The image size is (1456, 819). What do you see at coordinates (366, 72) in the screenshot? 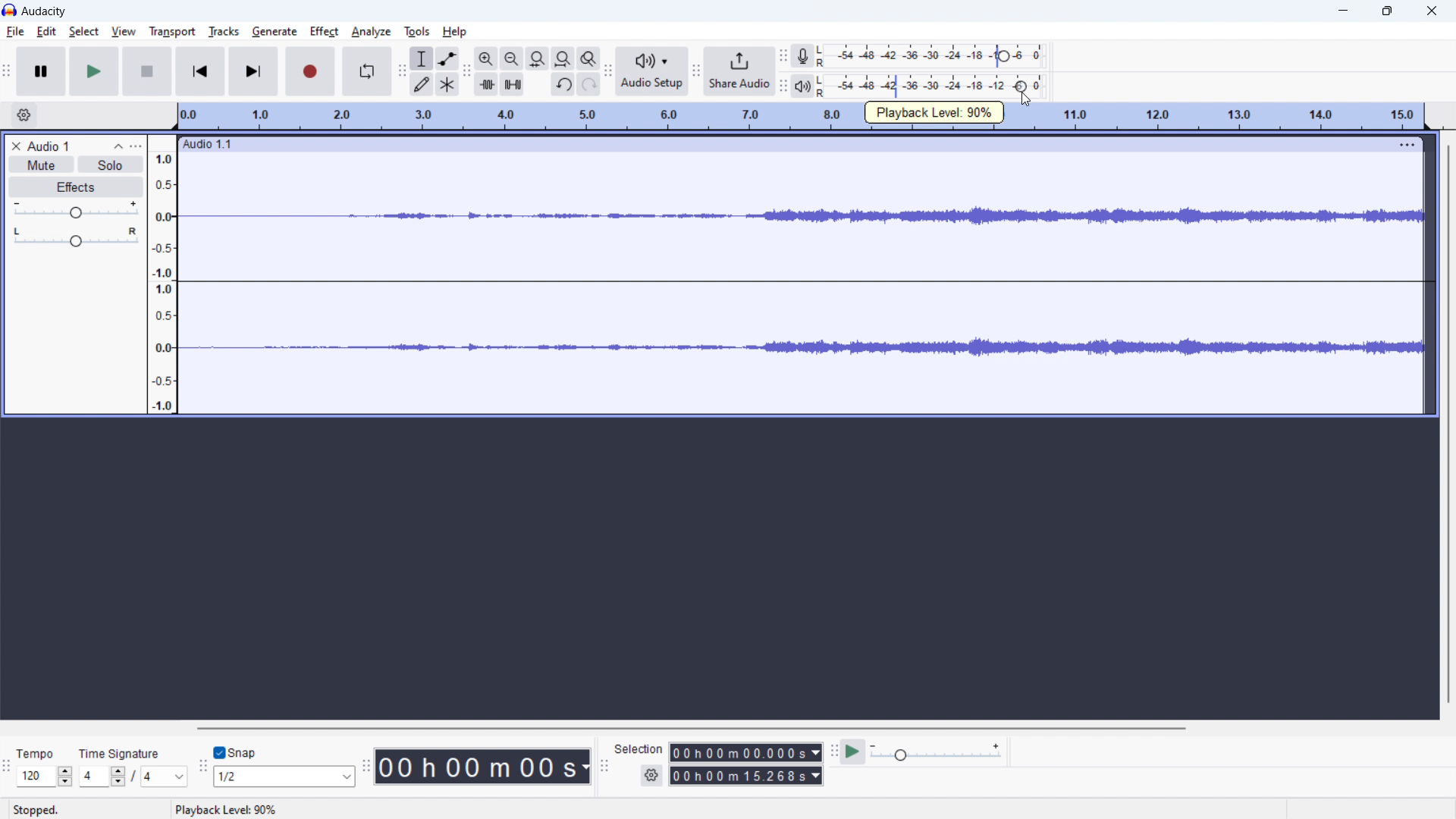
I see `enable looping` at bounding box center [366, 72].